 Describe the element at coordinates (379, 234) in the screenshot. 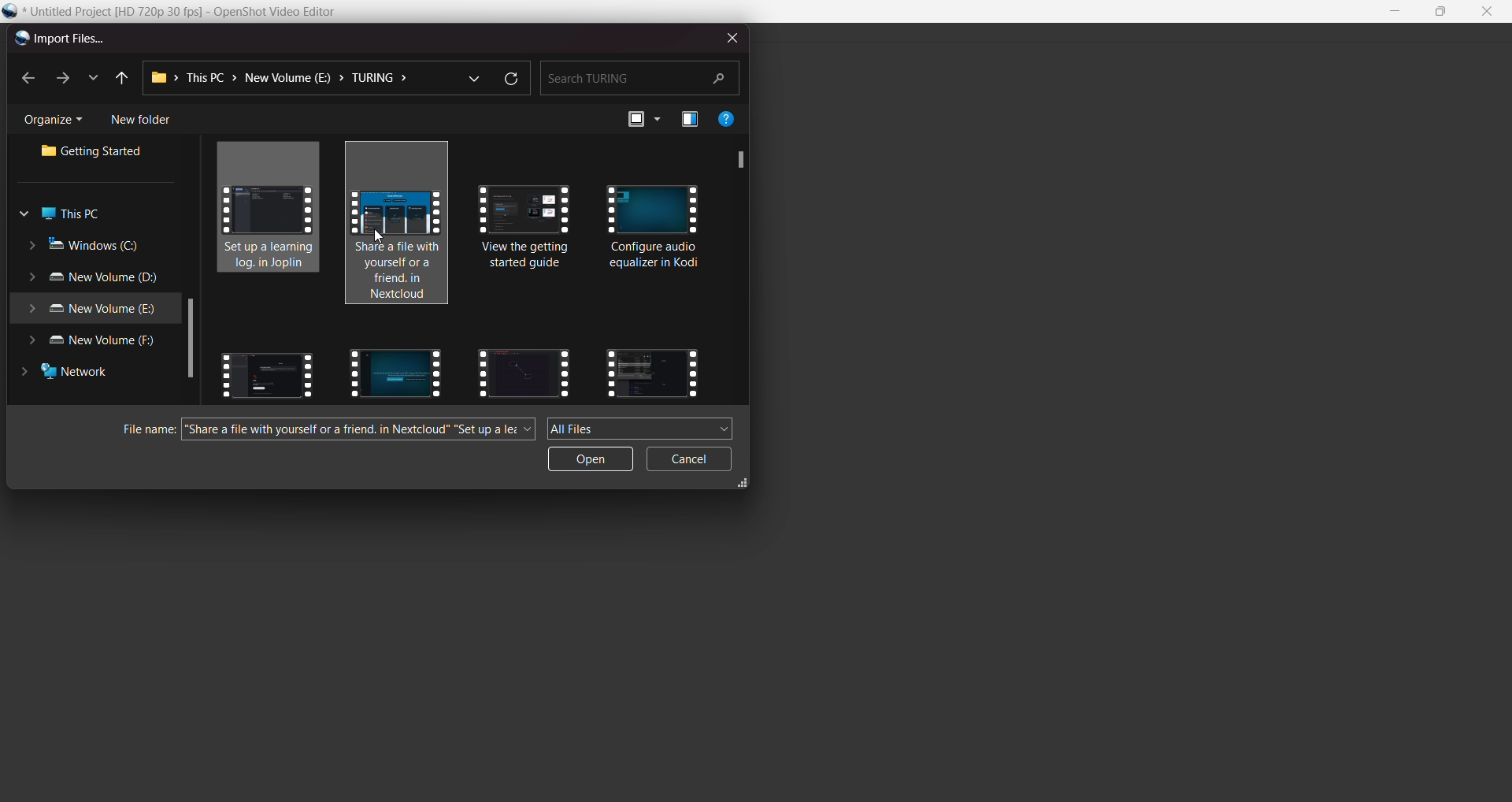

I see `cursor` at that location.